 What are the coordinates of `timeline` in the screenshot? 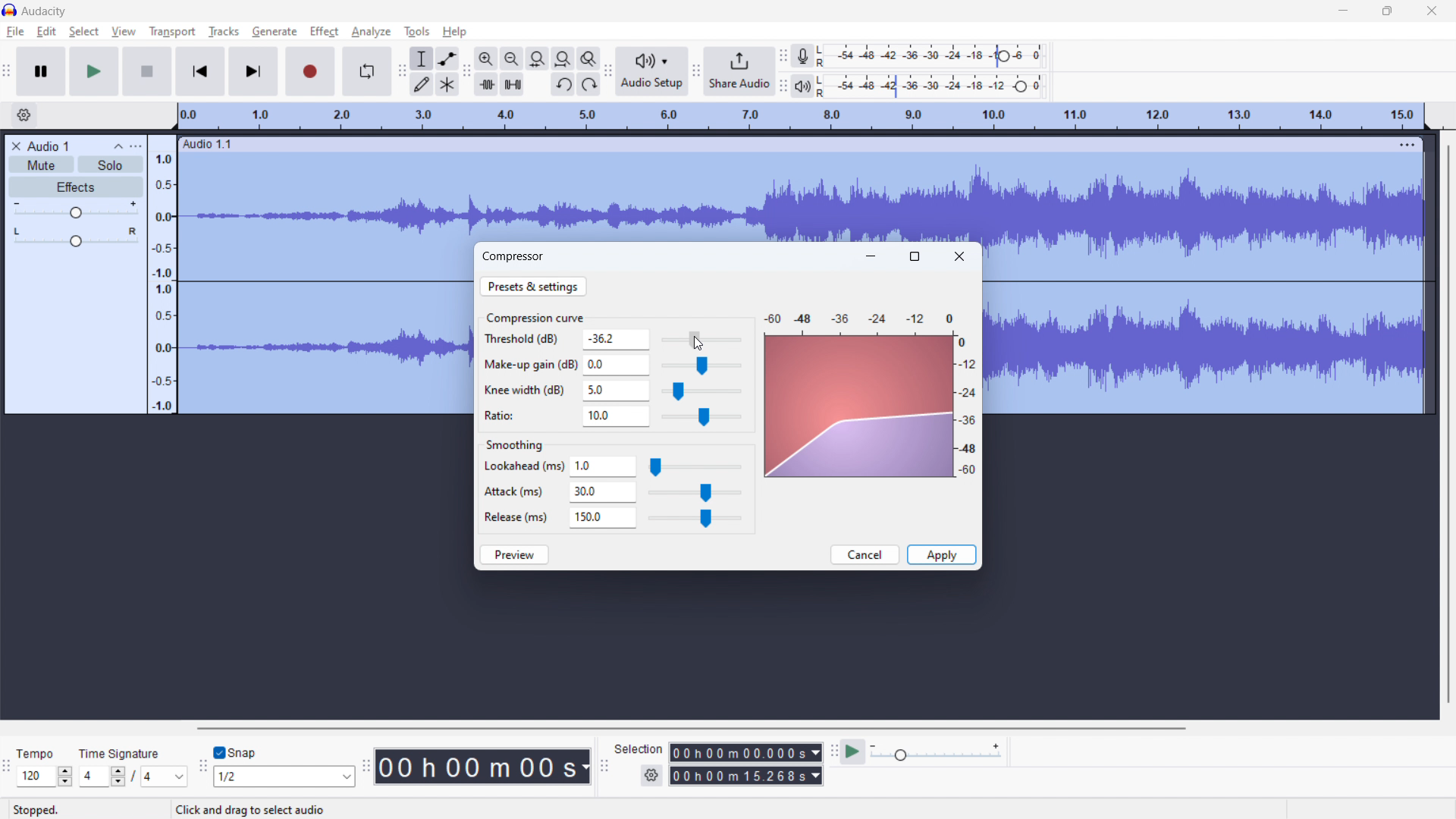 It's located at (800, 117).